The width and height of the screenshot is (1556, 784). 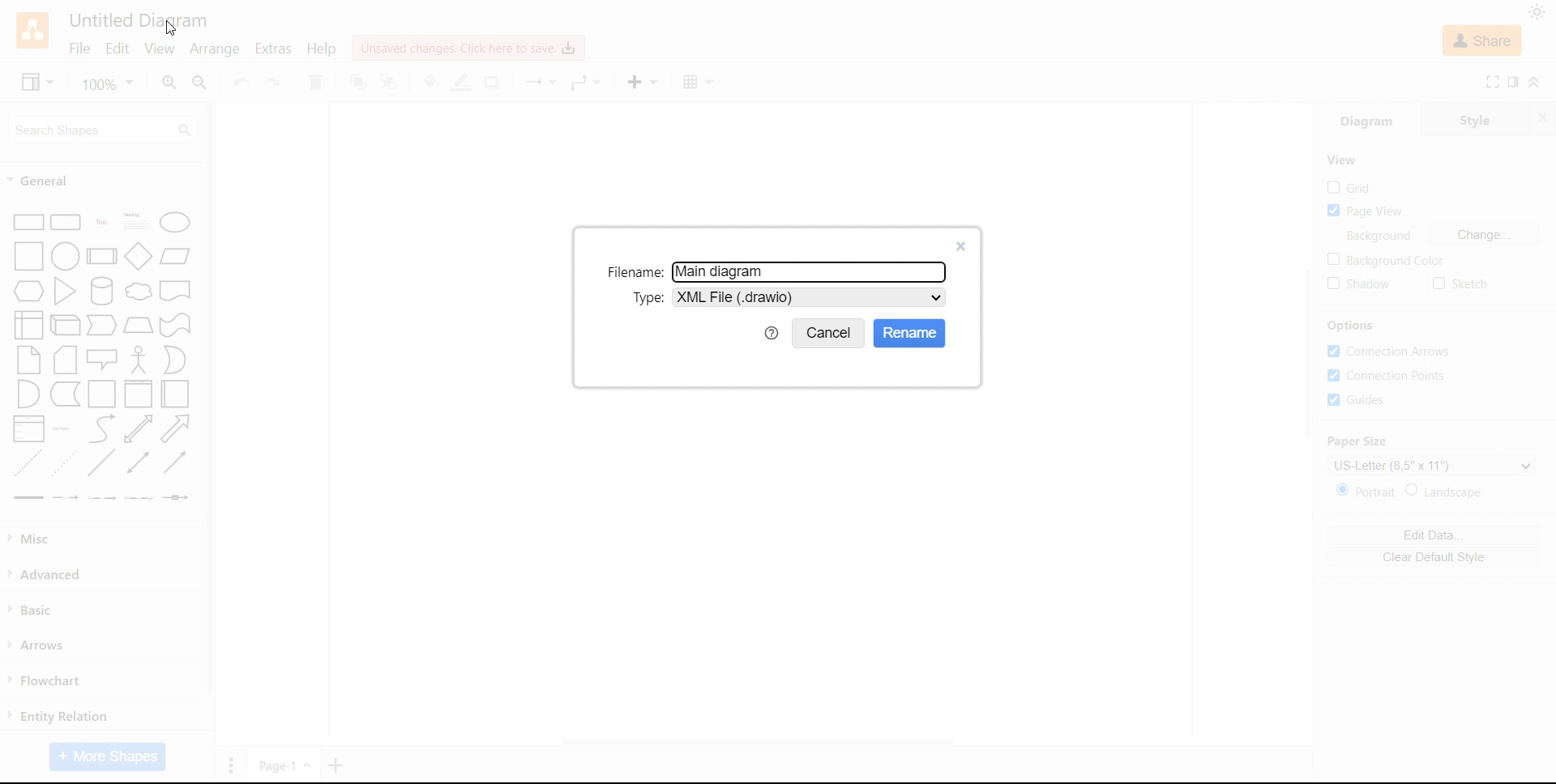 What do you see at coordinates (724, 273) in the screenshot?
I see `New file name ` at bounding box center [724, 273].